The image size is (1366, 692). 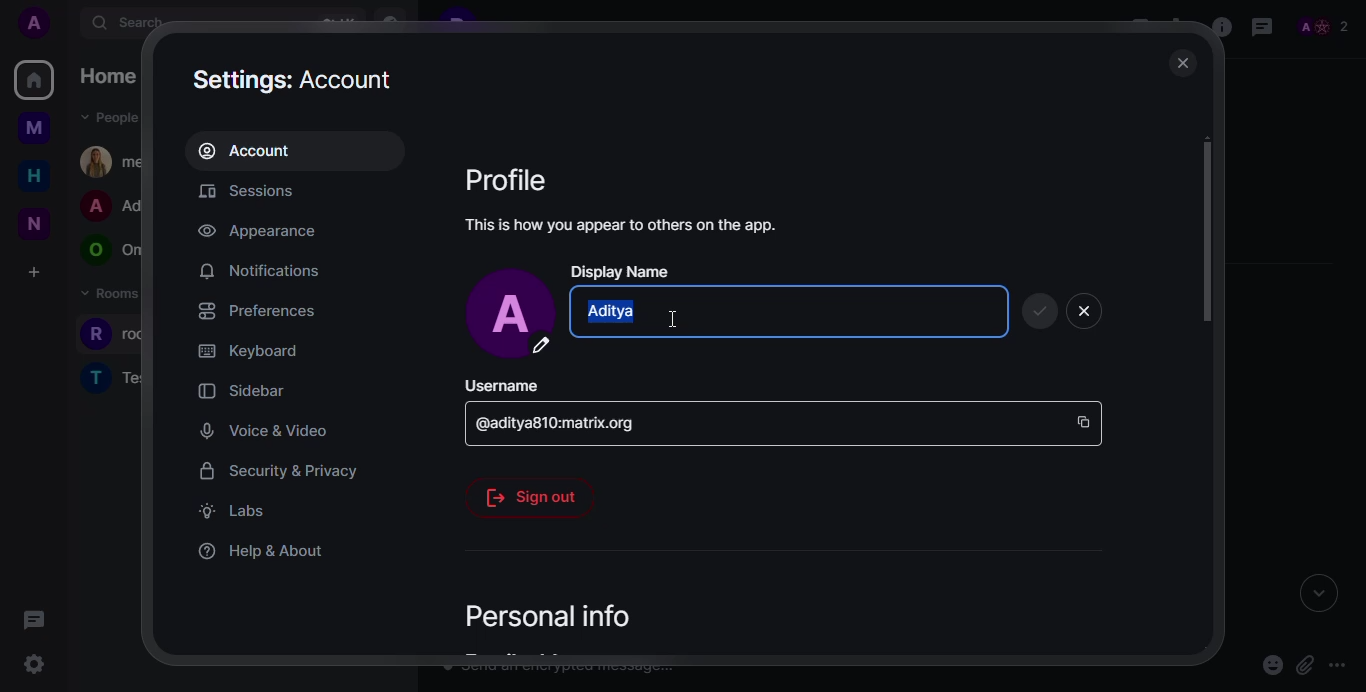 What do you see at coordinates (36, 668) in the screenshot?
I see `quick settings` at bounding box center [36, 668].